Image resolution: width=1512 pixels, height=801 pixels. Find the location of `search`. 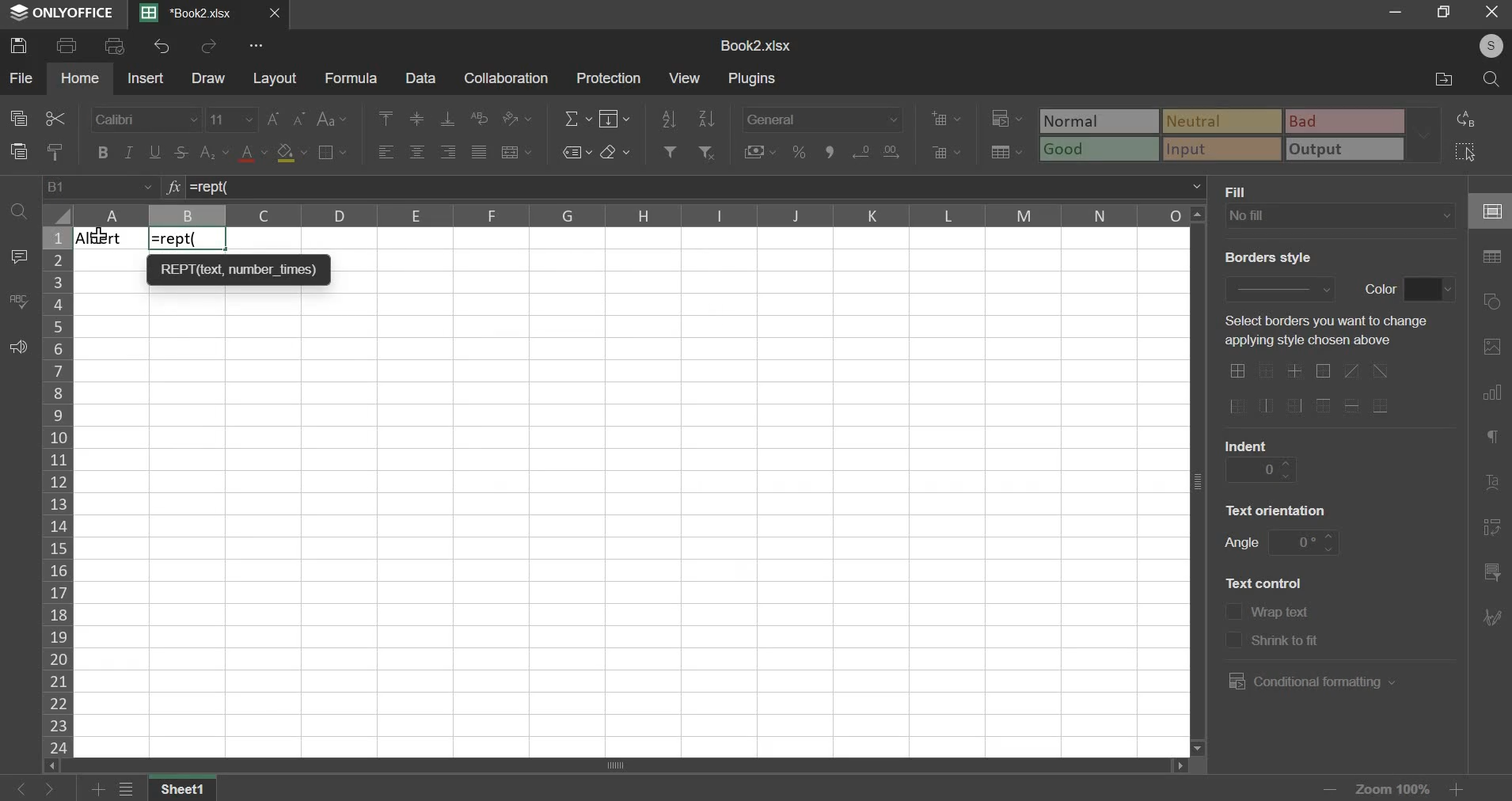

search is located at coordinates (1487, 78).